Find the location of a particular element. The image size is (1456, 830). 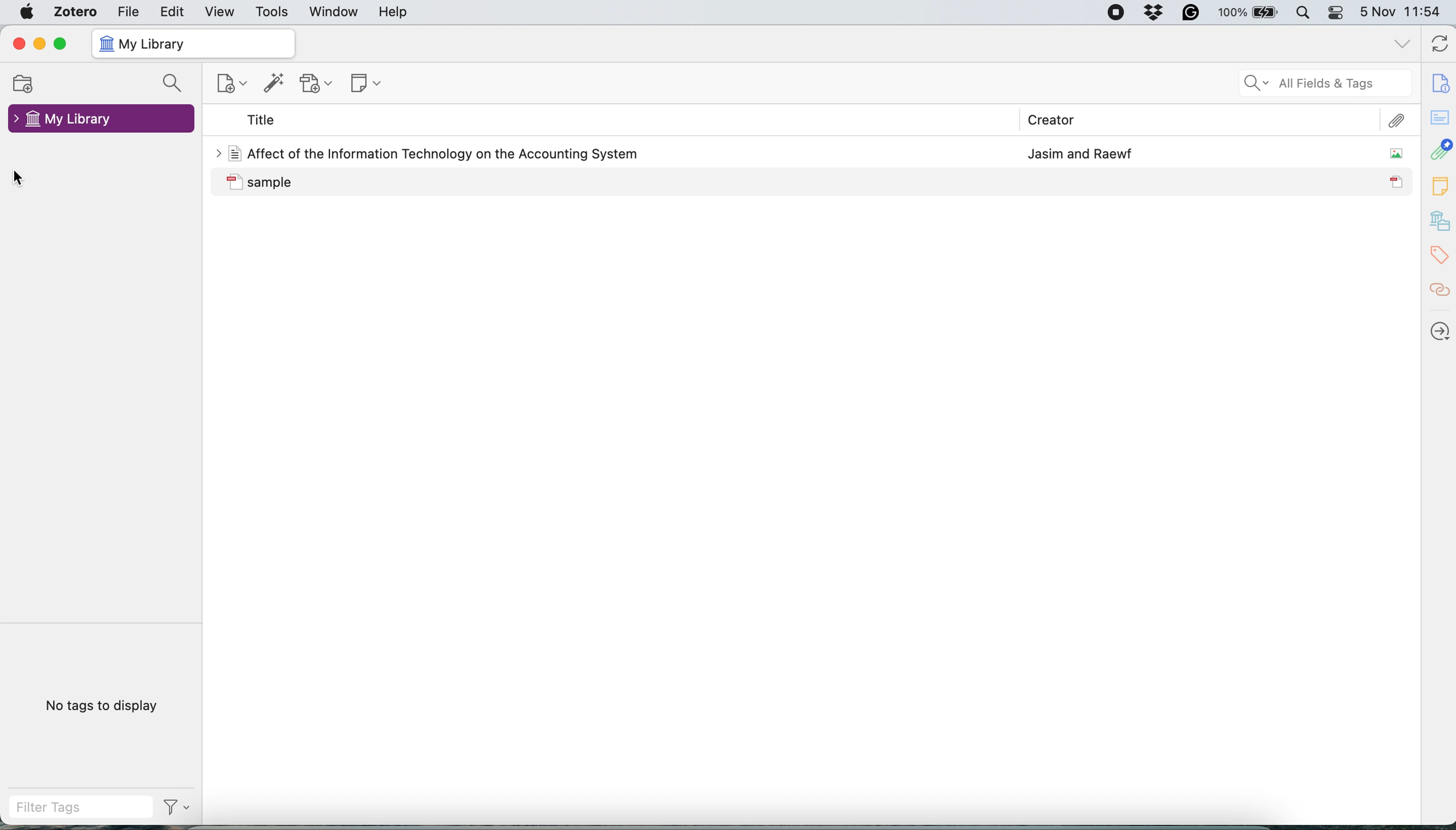

control center is located at coordinates (1339, 16).